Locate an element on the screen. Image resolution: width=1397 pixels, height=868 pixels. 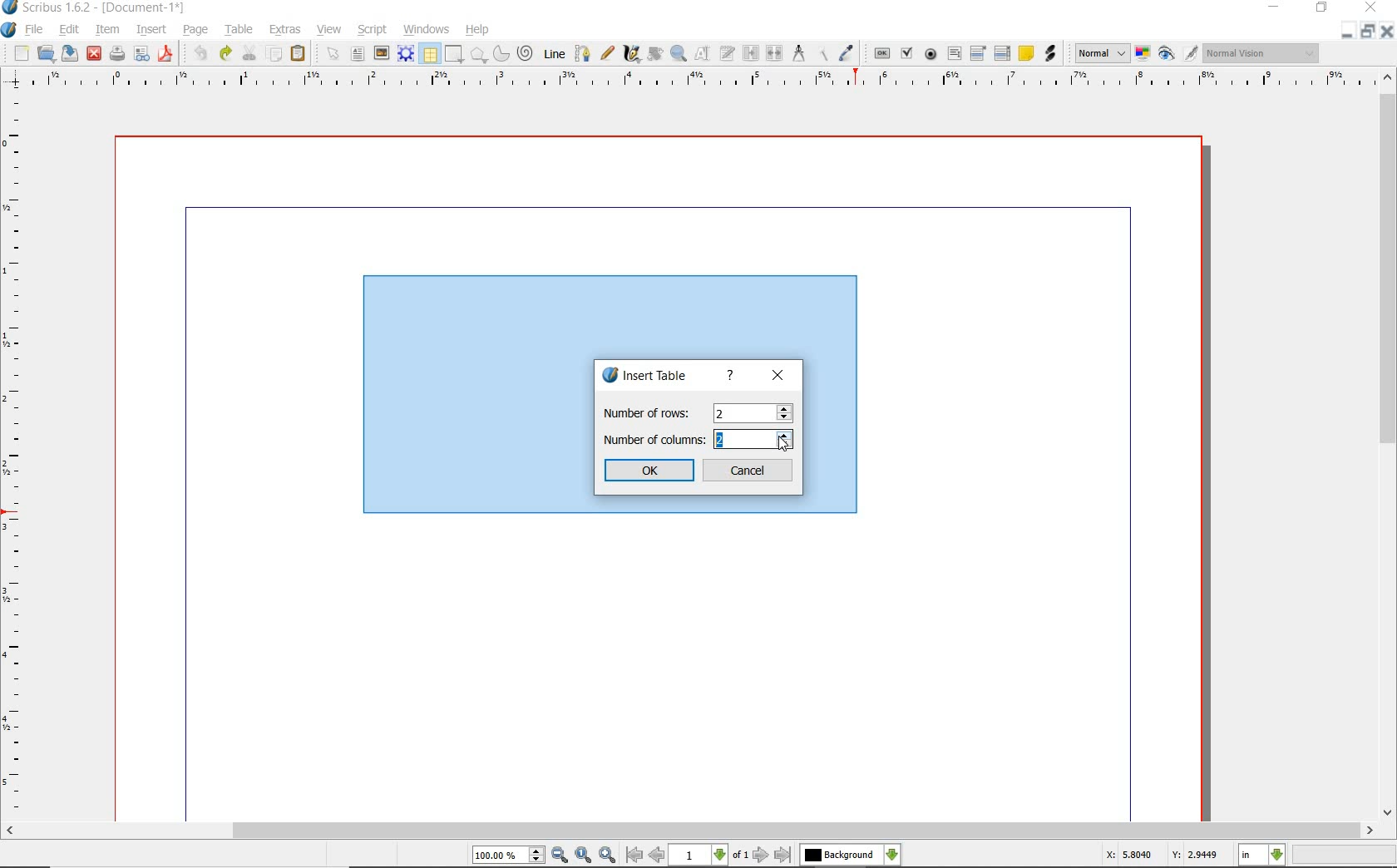
pdf radio box is located at coordinates (931, 55).